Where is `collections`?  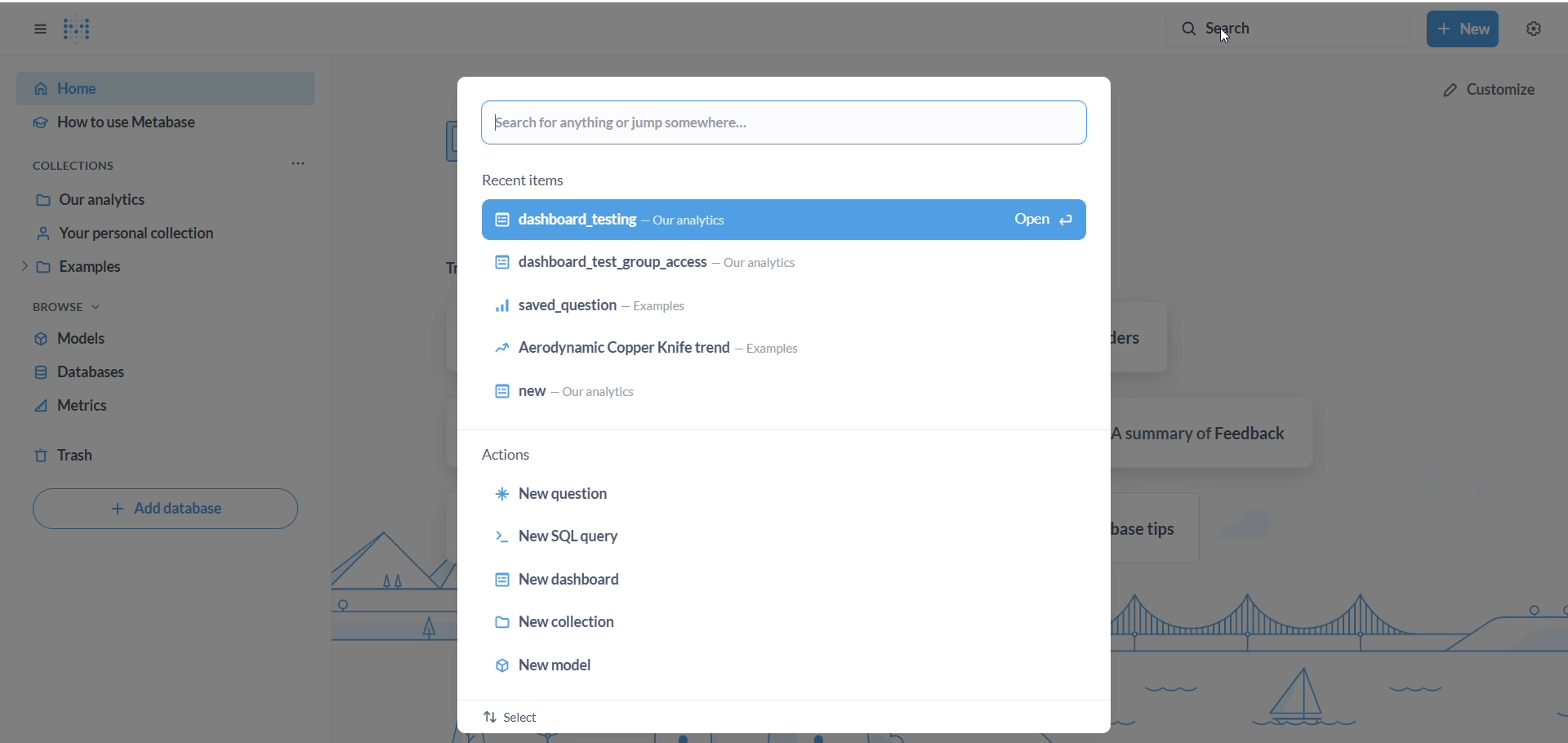 collections is located at coordinates (89, 167).